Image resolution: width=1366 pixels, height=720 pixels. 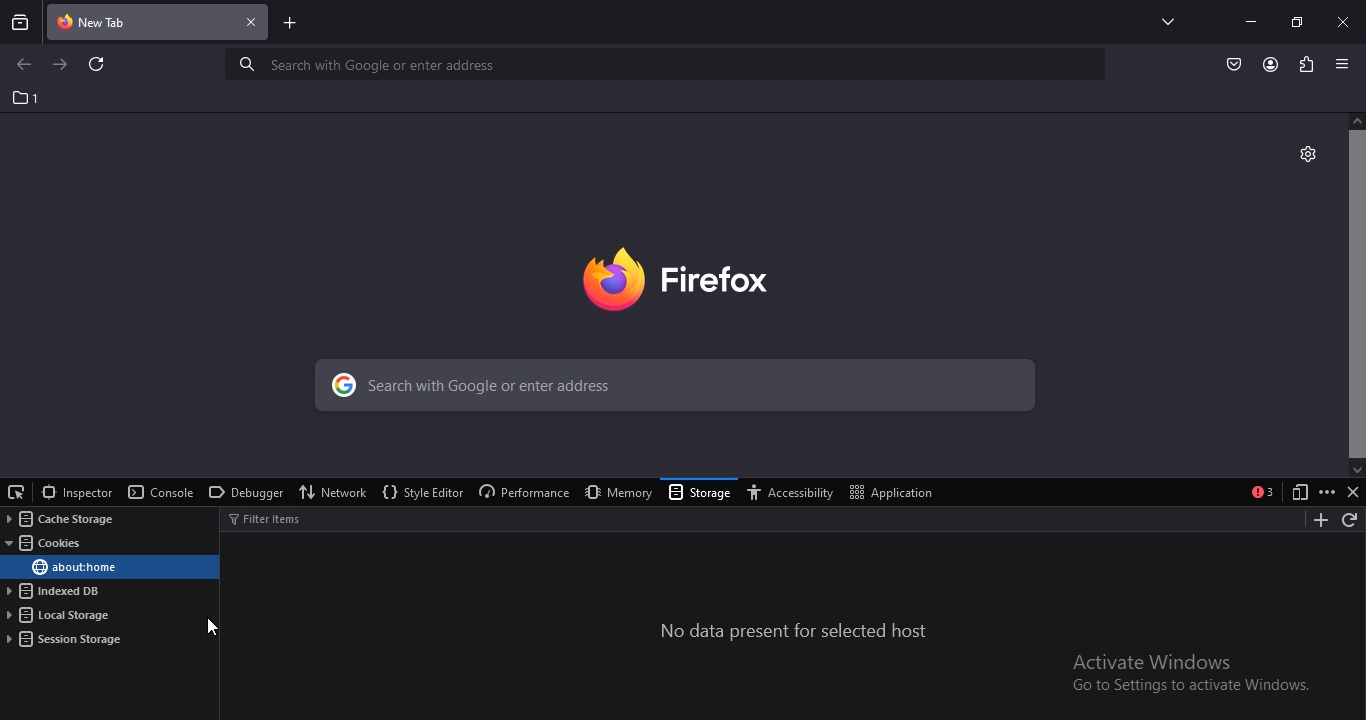 What do you see at coordinates (66, 639) in the screenshot?
I see `session storage` at bounding box center [66, 639].